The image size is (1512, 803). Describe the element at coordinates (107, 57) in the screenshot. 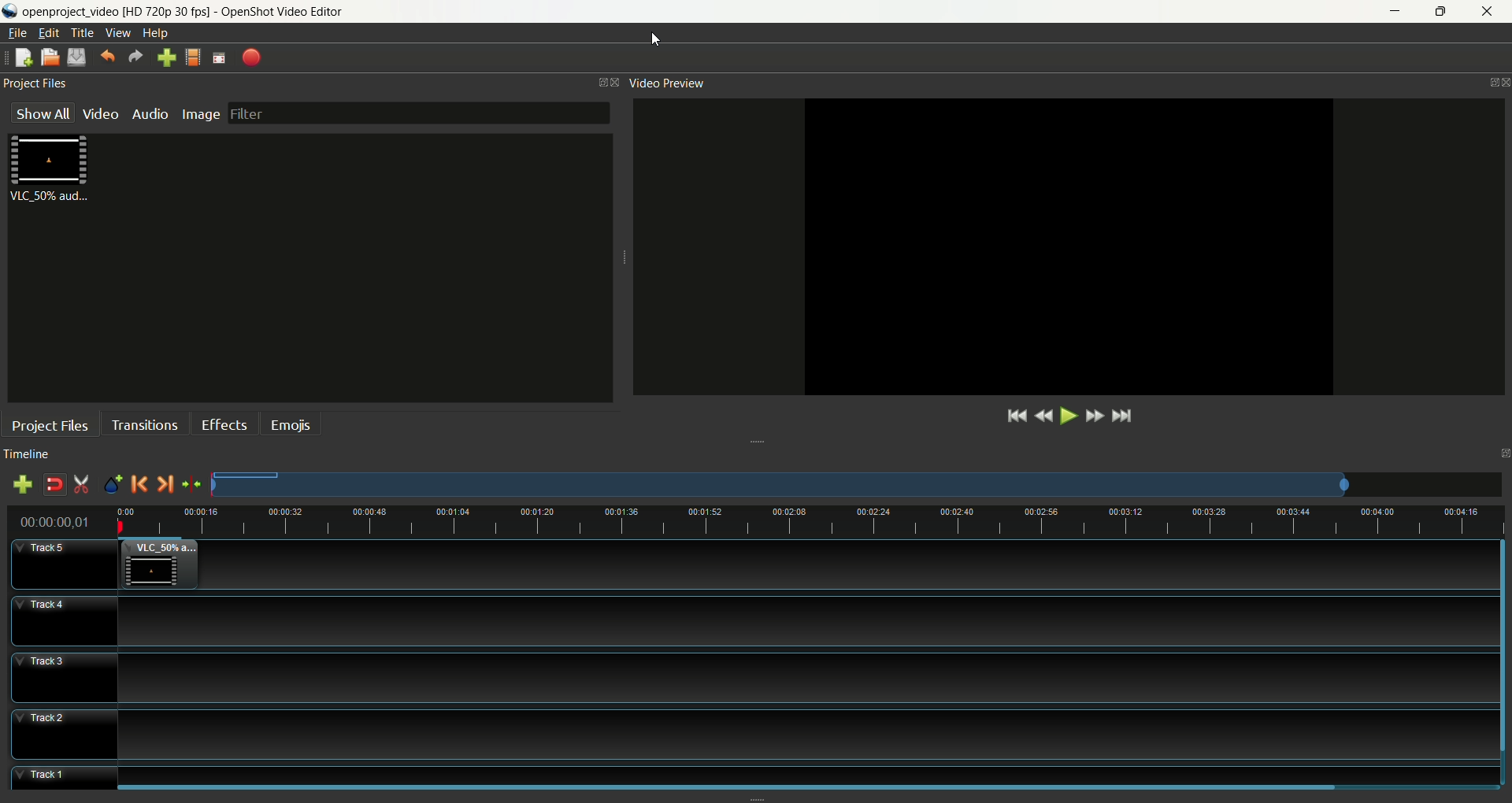

I see `undo` at that location.